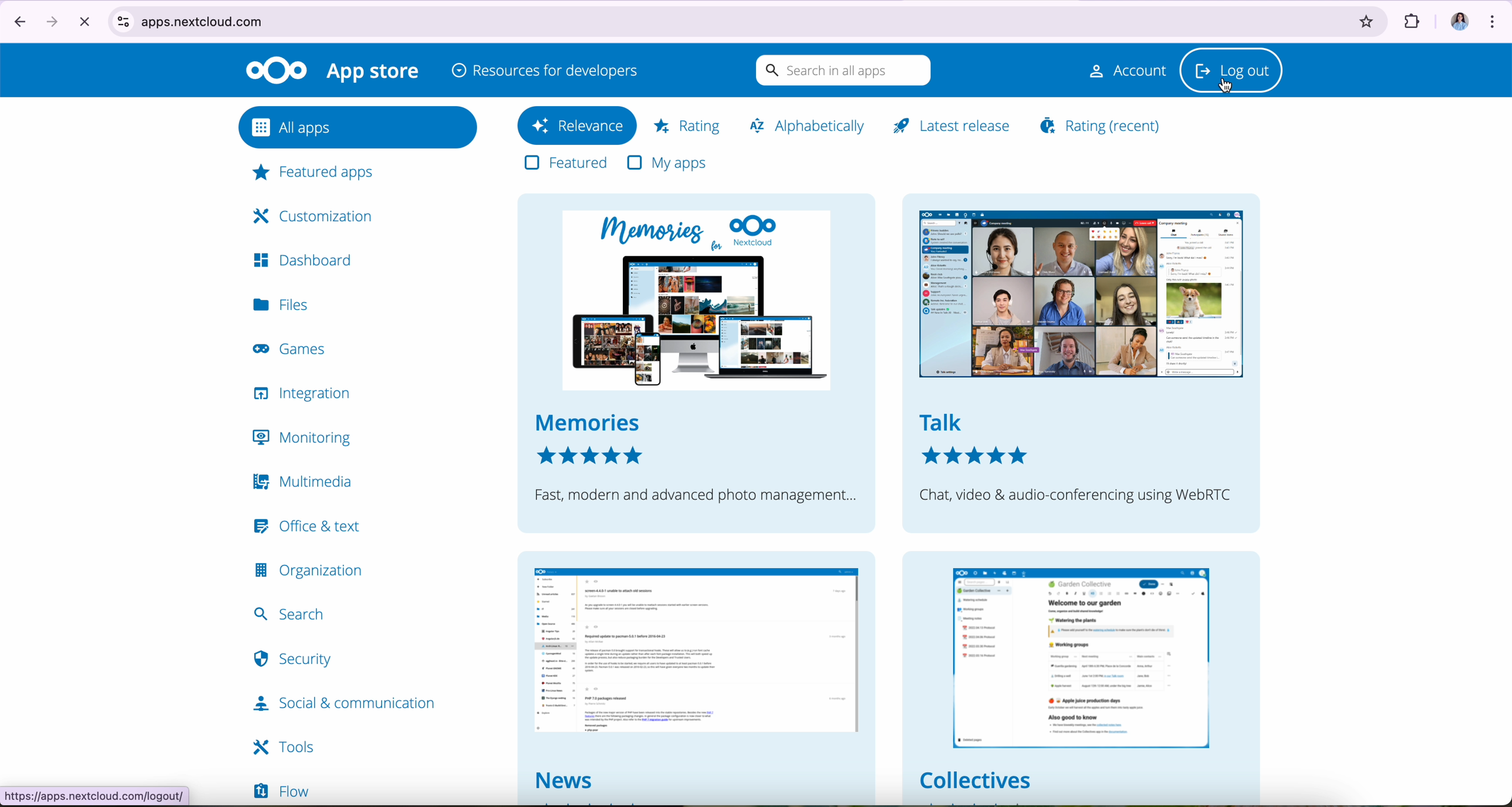 The height and width of the screenshot is (807, 1512). Describe the element at coordinates (953, 128) in the screenshot. I see `latest release` at that location.